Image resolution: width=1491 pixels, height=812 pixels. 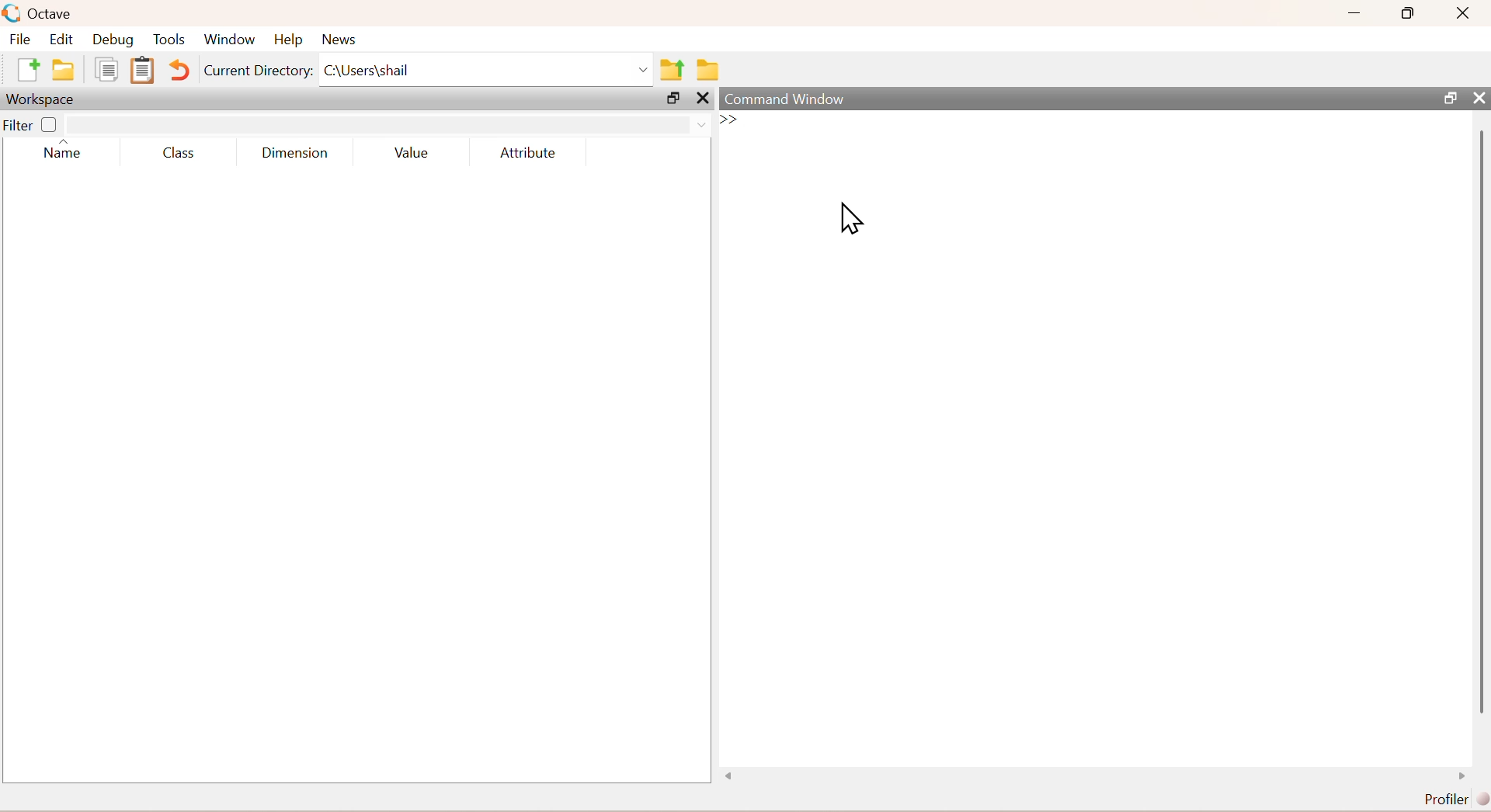 I want to click on Drop-down , so click(x=645, y=70).